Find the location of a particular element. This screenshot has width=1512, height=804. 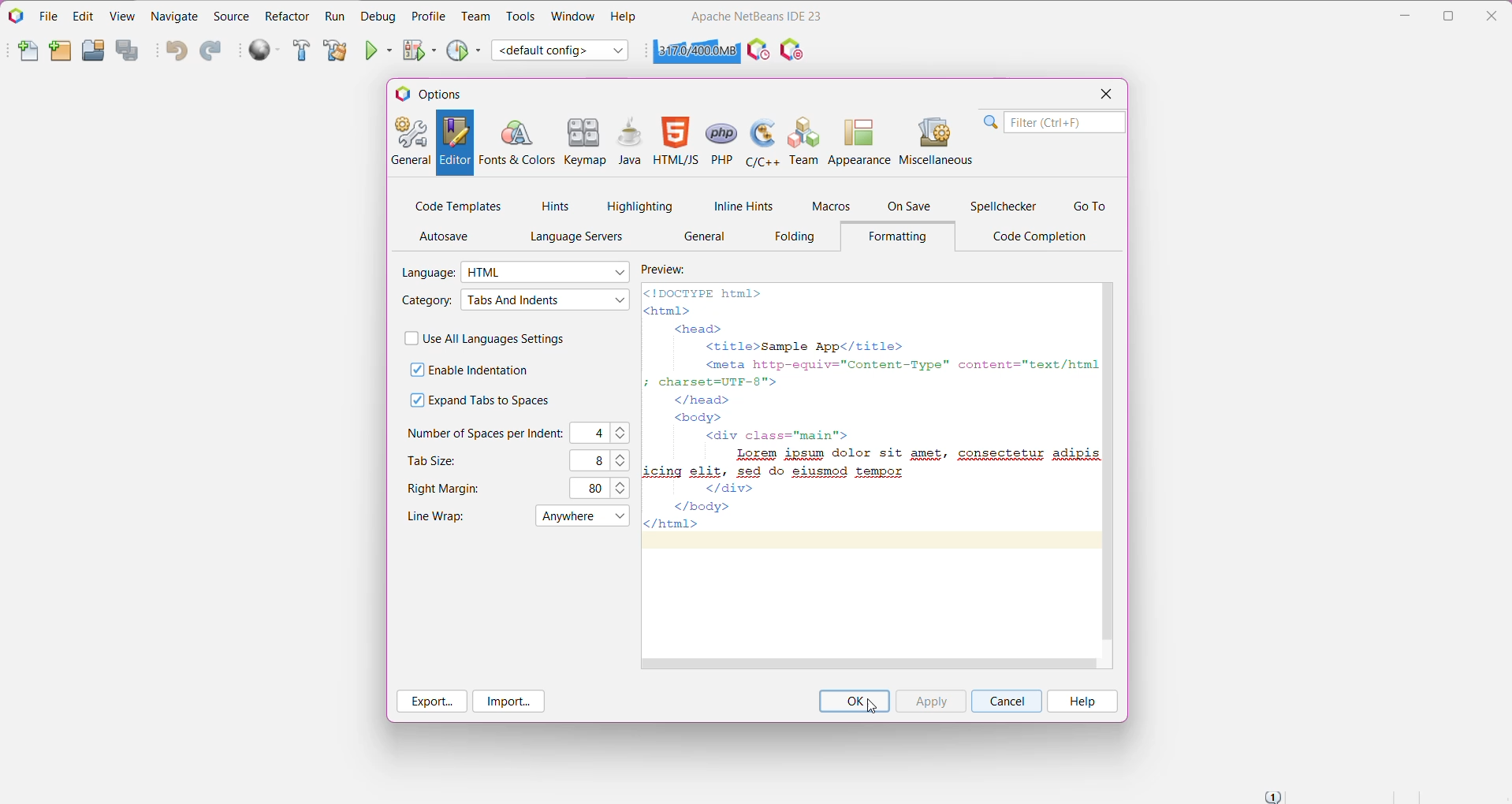

Click 'Apply' to apply the updated highlighting settings is located at coordinates (929, 701).